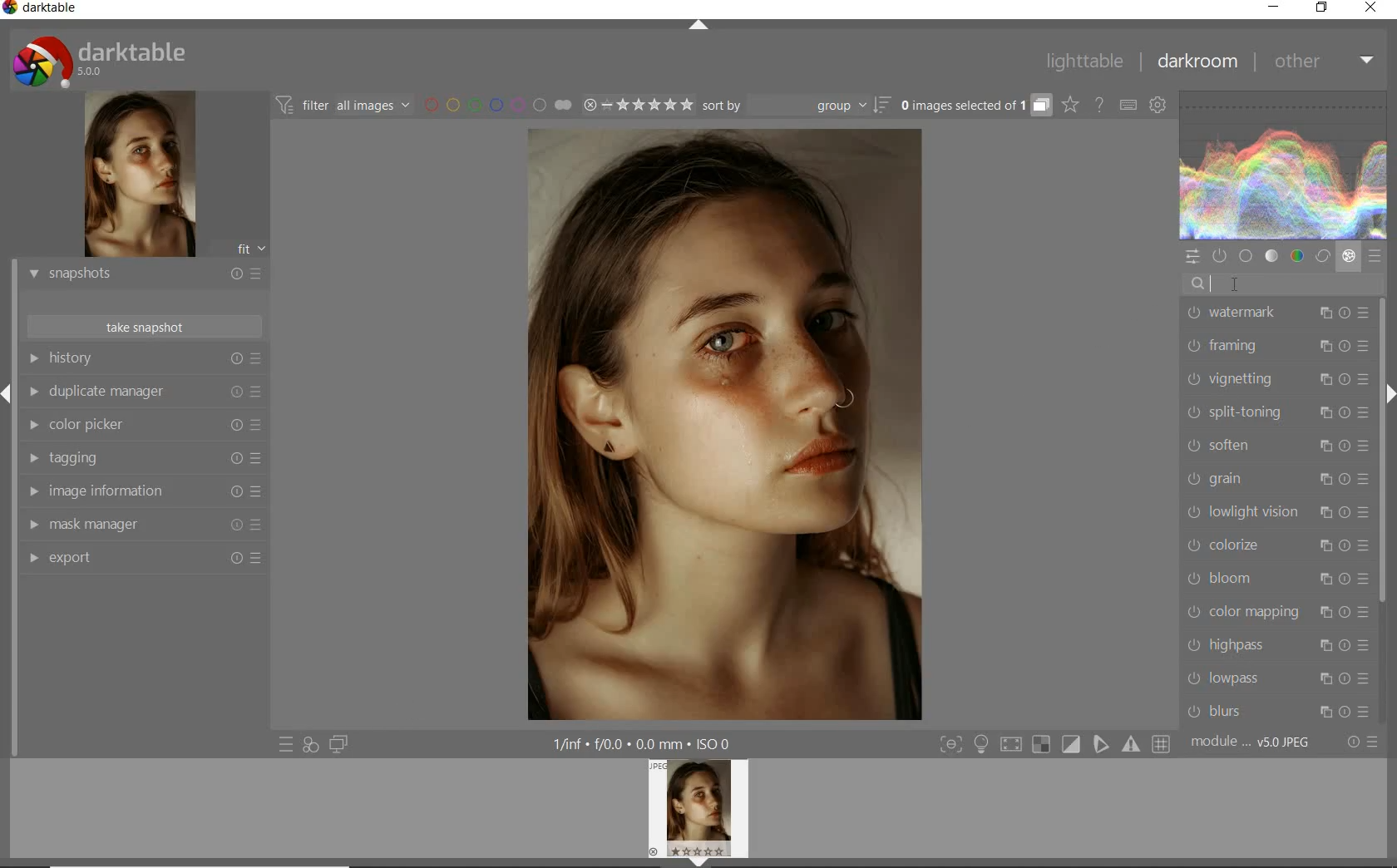  What do you see at coordinates (1322, 7) in the screenshot?
I see `restore` at bounding box center [1322, 7].